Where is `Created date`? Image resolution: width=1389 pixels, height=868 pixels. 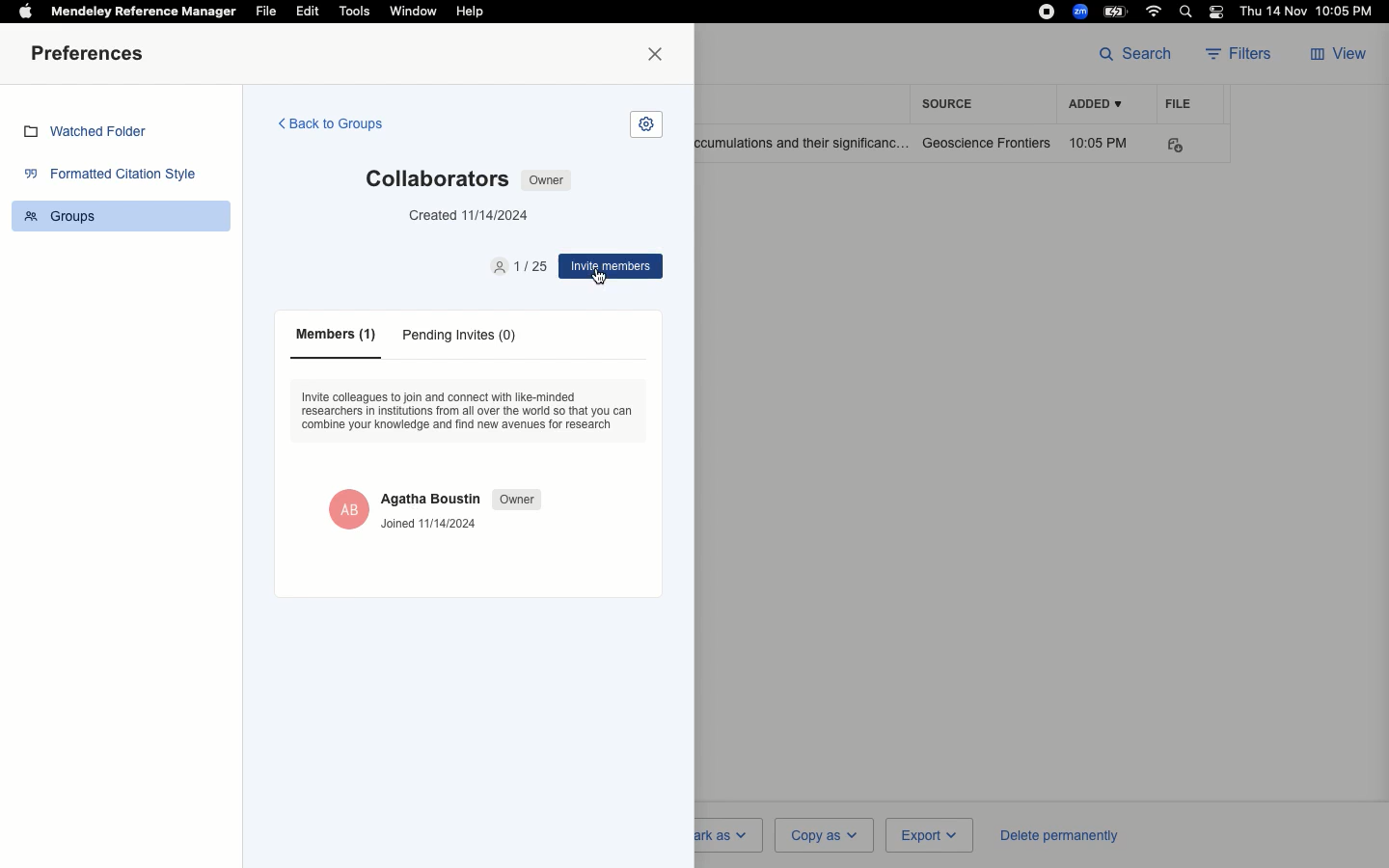 Created date is located at coordinates (471, 216).